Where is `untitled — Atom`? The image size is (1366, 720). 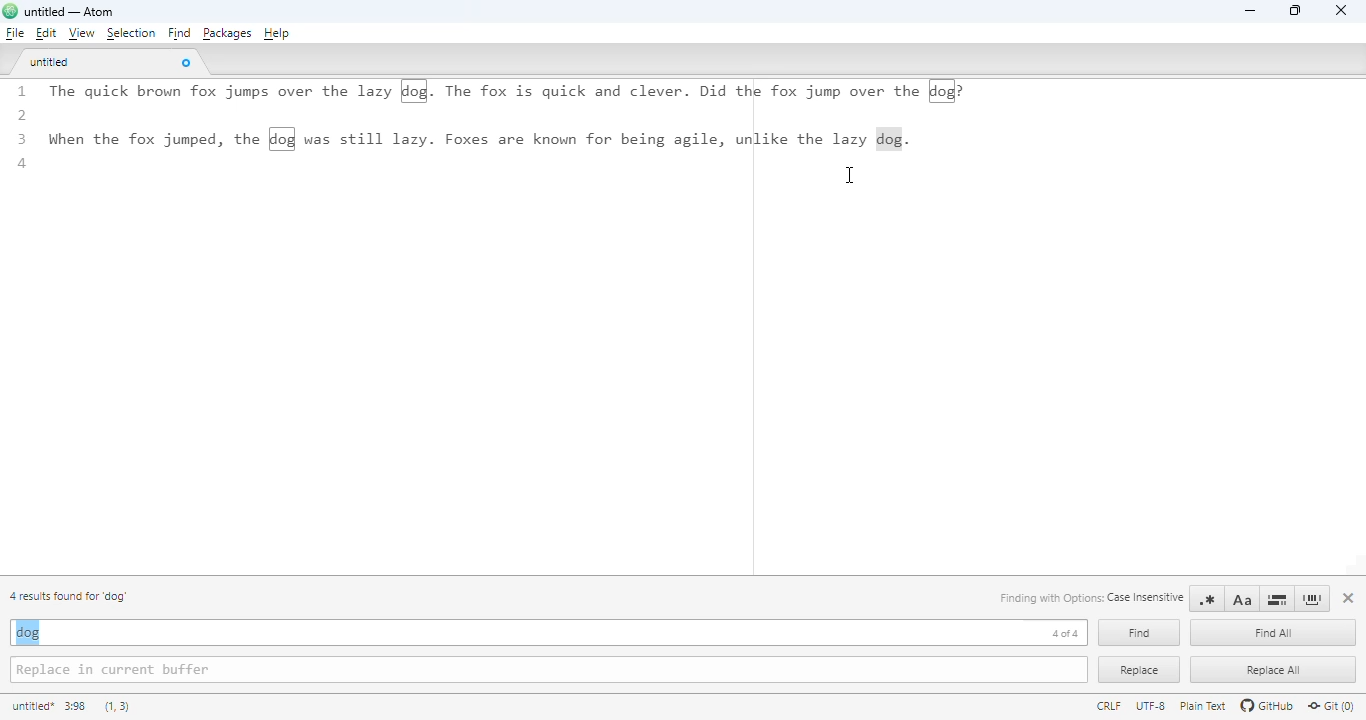
untitled — Atom is located at coordinates (76, 12).